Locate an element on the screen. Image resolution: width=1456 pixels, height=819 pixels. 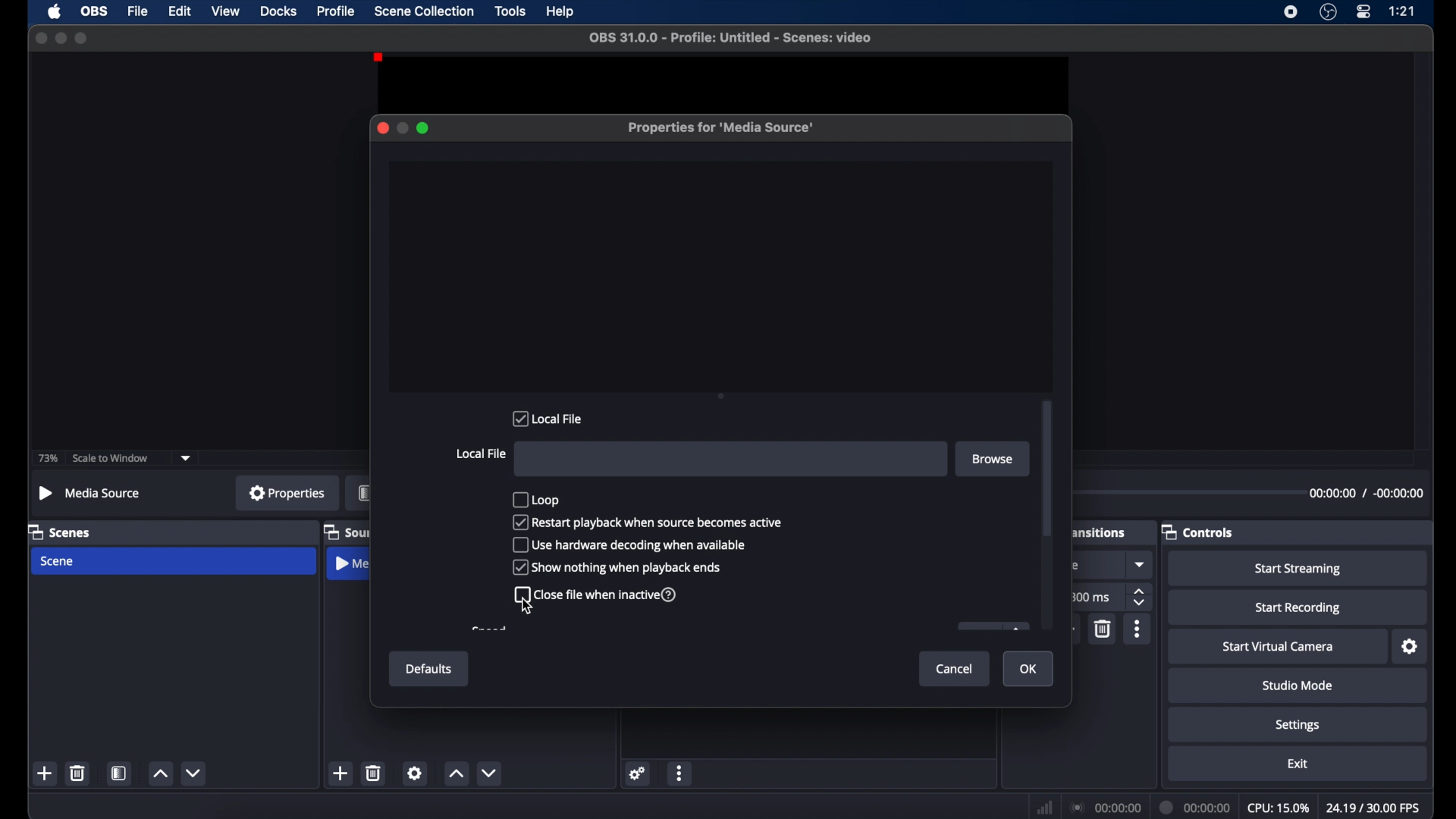
show nothing when playback options is located at coordinates (618, 567).